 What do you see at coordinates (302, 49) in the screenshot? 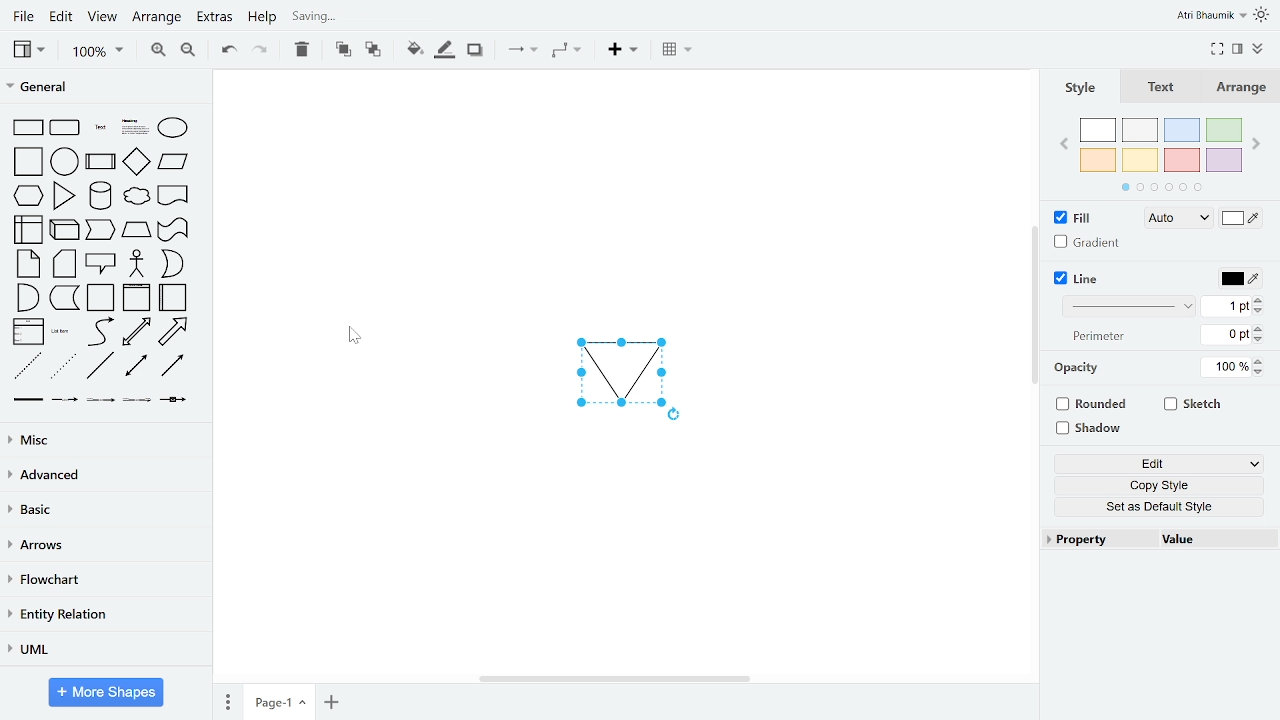
I see `delete` at bounding box center [302, 49].